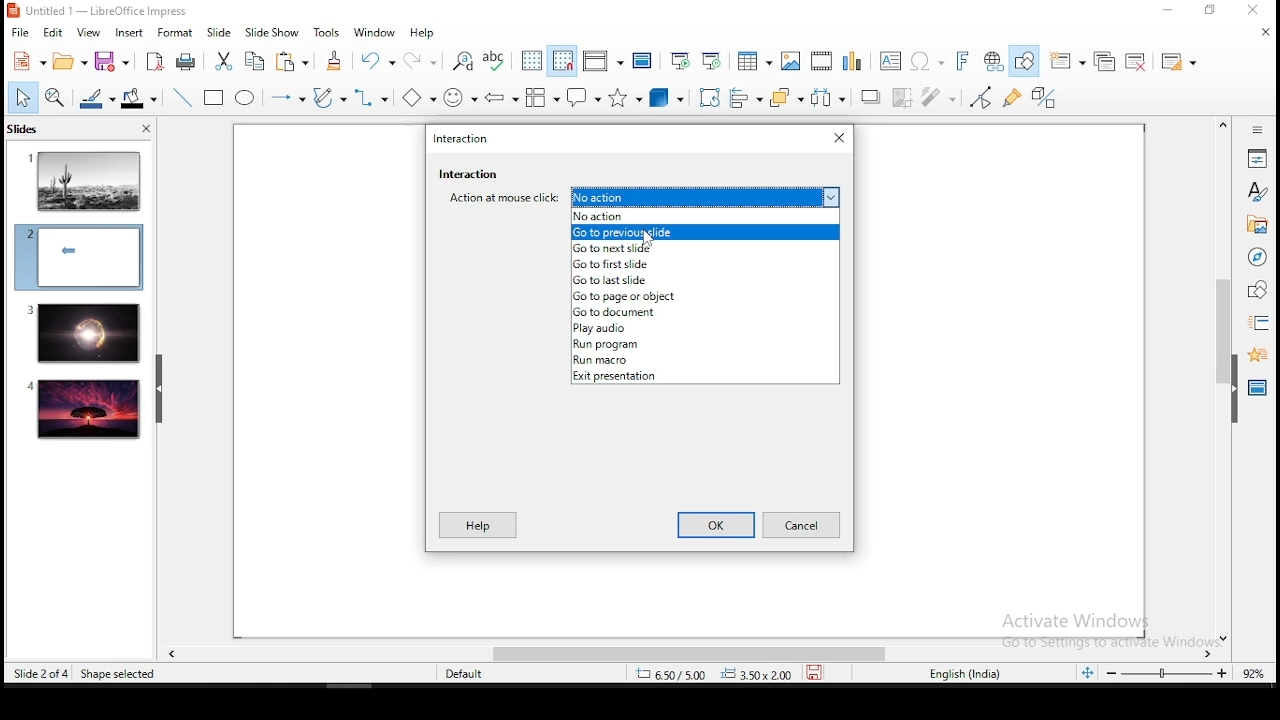 This screenshot has width=1280, height=720. What do you see at coordinates (496, 60) in the screenshot?
I see `spell chech` at bounding box center [496, 60].